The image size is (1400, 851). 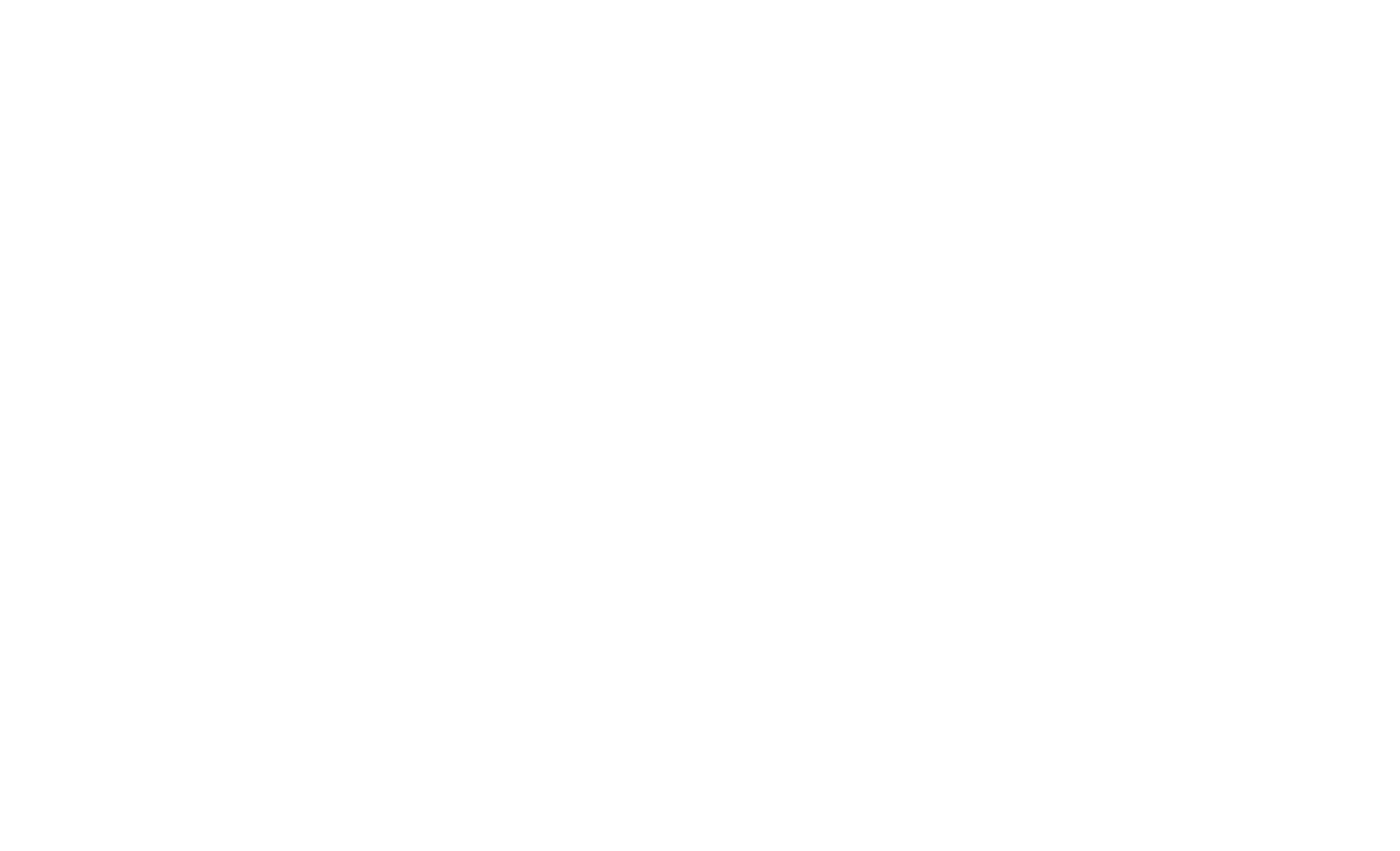 I want to click on Add, so click(x=15, y=803).